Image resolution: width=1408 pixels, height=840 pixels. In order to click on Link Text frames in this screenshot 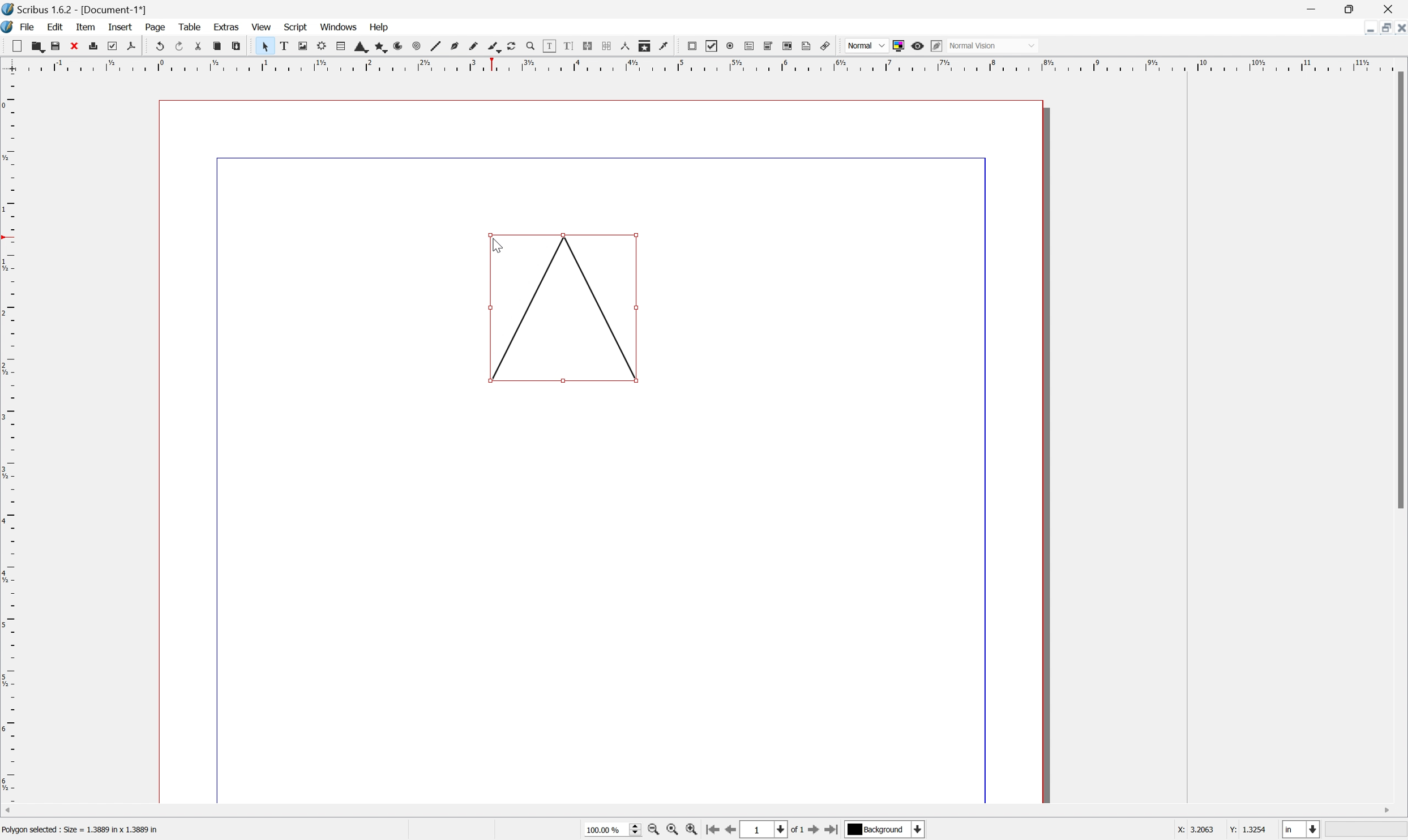, I will do `click(585, 46)`.